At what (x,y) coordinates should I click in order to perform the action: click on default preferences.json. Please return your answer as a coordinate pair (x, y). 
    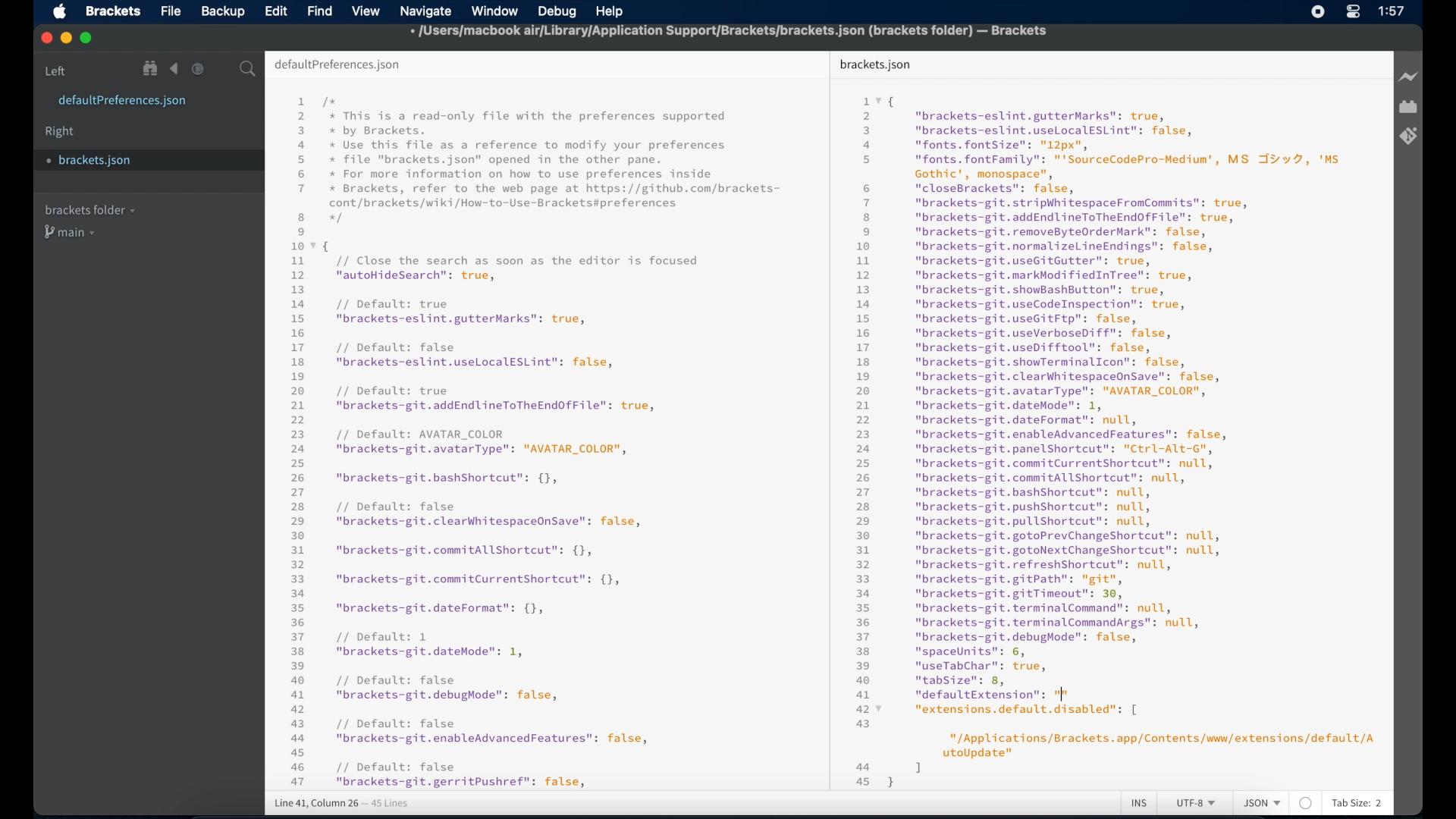
    Looking at the image, I should click on (337, 65).